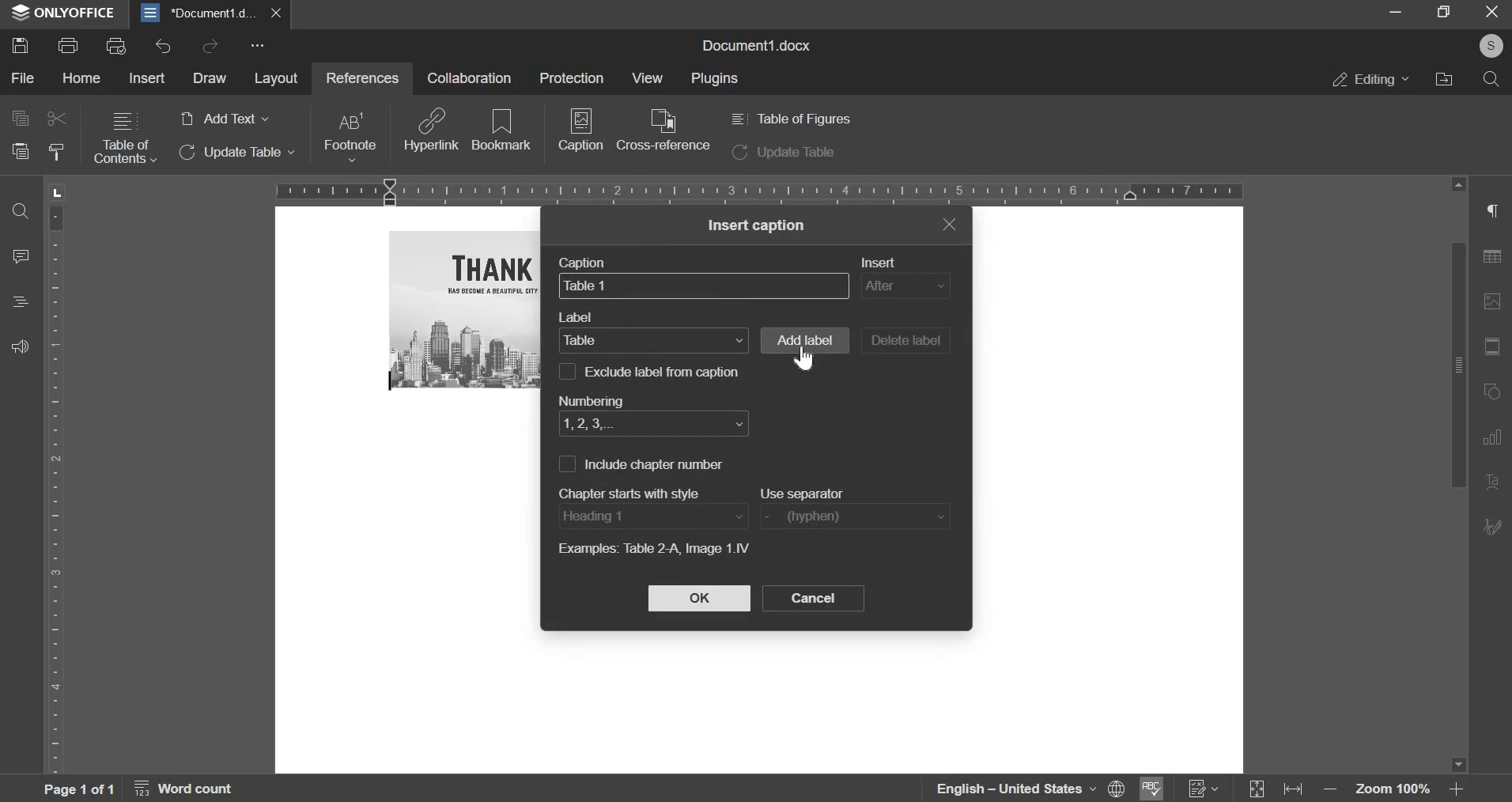 The height and width of the screenshot is (802, 1512). What do you see at coordinates (116, 45) in the screenshot?
I see `print preview` at bounding box center [116, 45].